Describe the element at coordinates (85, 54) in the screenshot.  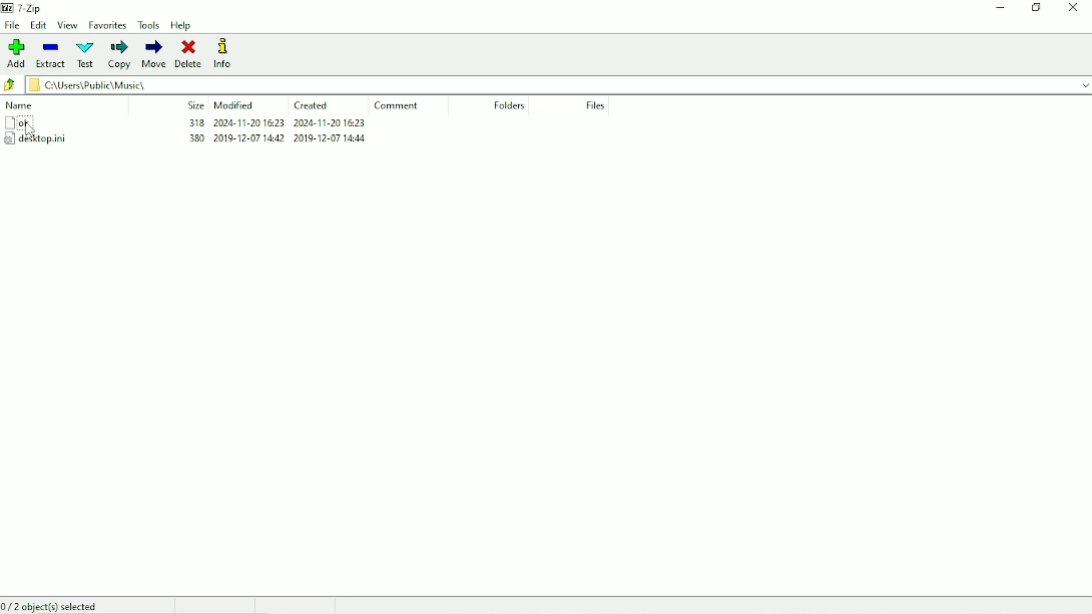
I see `Test` at that location.